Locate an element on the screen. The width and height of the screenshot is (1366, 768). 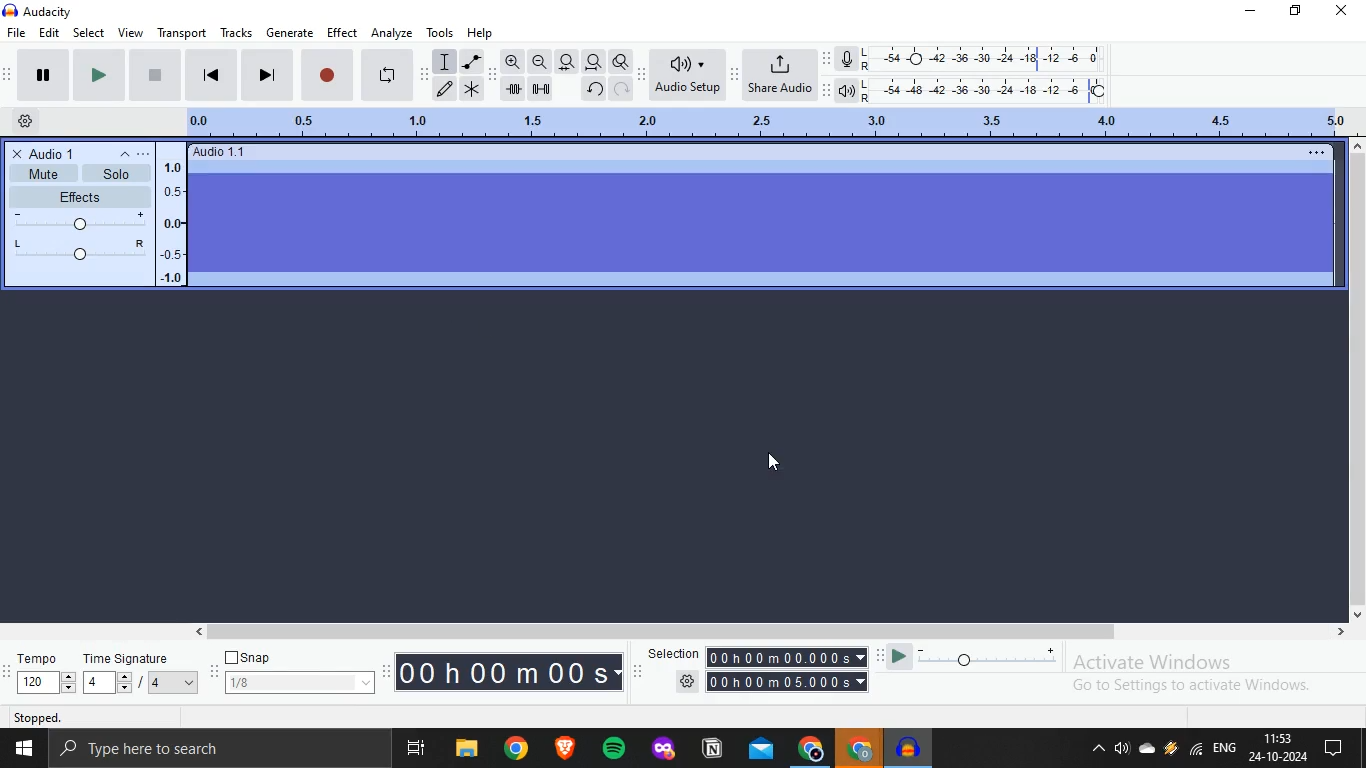
Forward is located at coordinates (97, 75).